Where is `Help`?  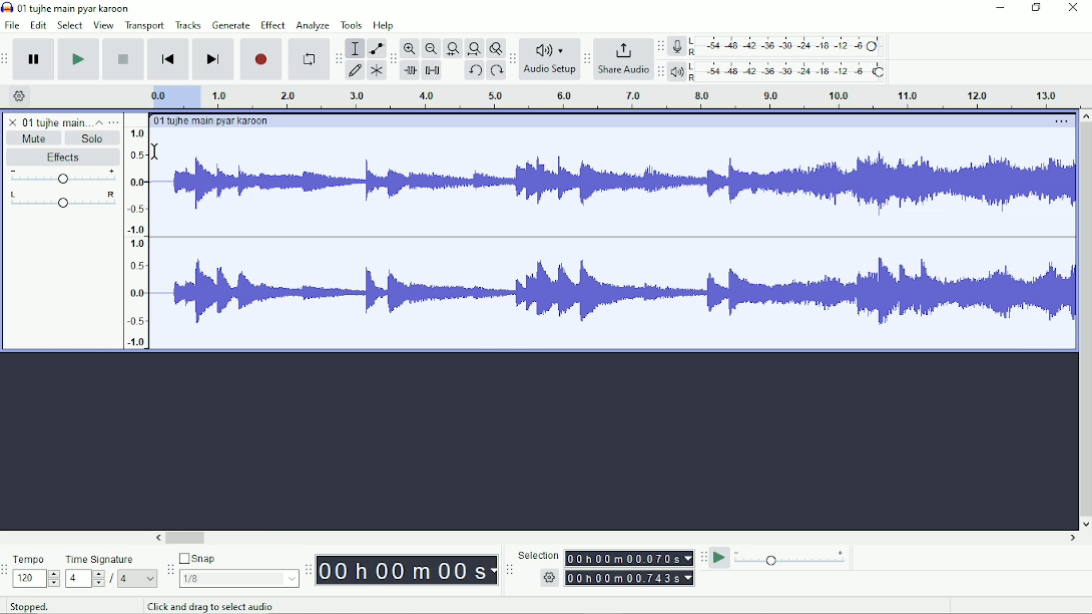 Help is located at coordinates (385, 26).